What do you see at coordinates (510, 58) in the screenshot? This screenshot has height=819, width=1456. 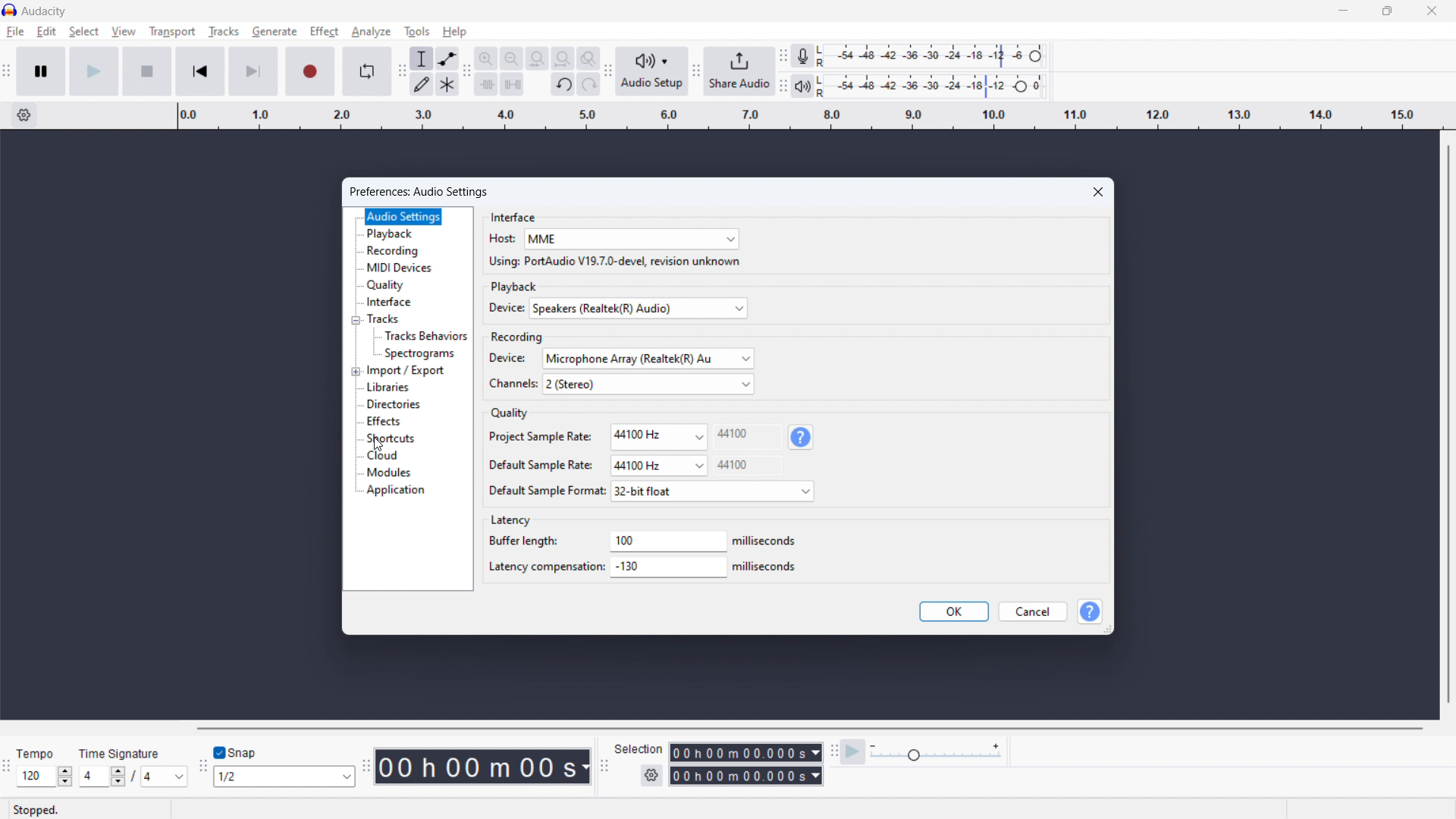 I see `zoom out` at bounding box center [510, 58].